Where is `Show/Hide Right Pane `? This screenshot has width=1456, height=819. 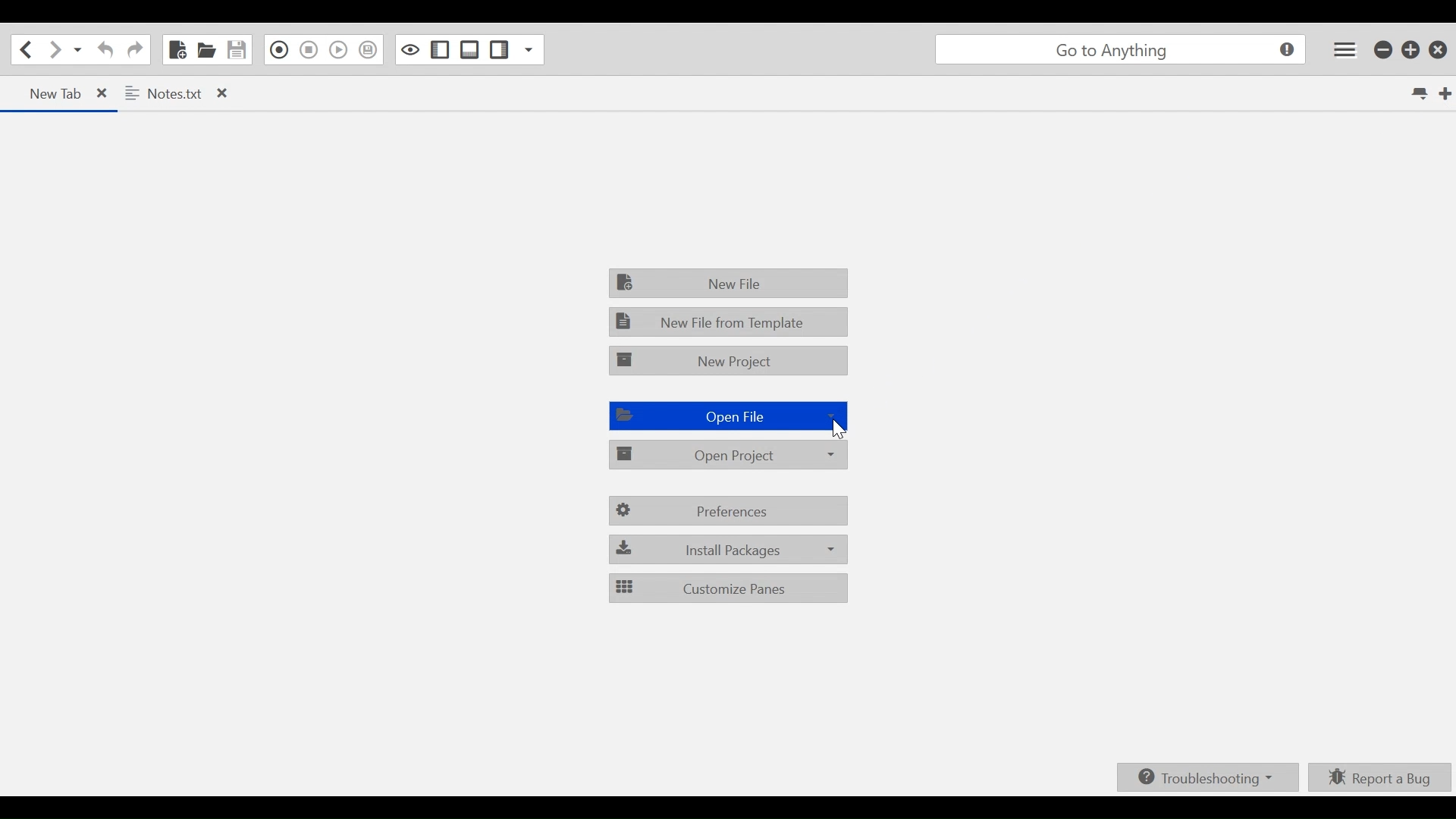 Show/Hide Right Pane  is located at coordinates (498, 49).